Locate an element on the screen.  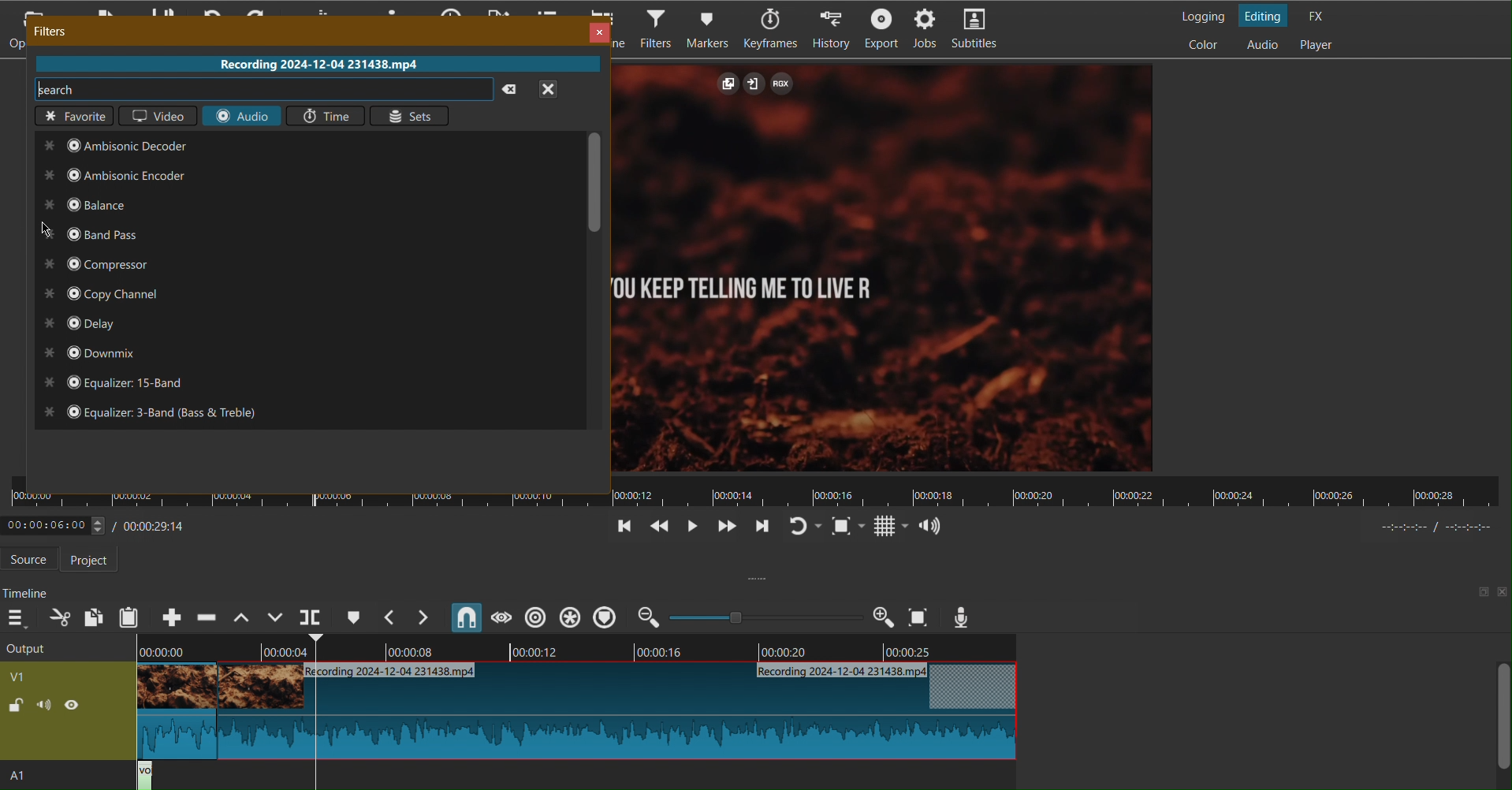
Lift is located at coordinates (239, 617).